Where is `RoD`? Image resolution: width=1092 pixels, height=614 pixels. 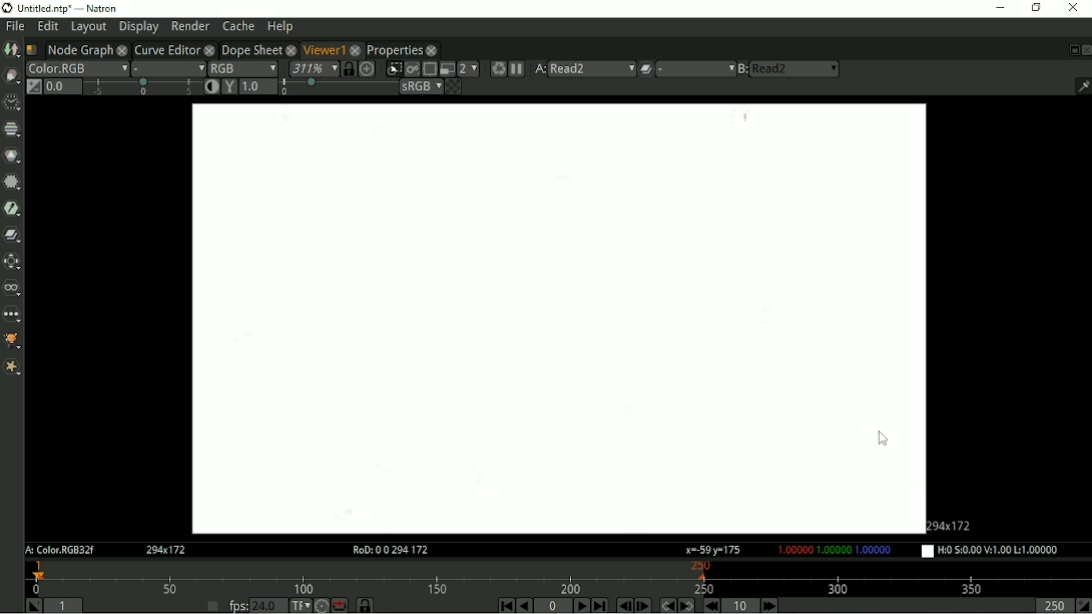 RoD is located at coordinates (387, 550).